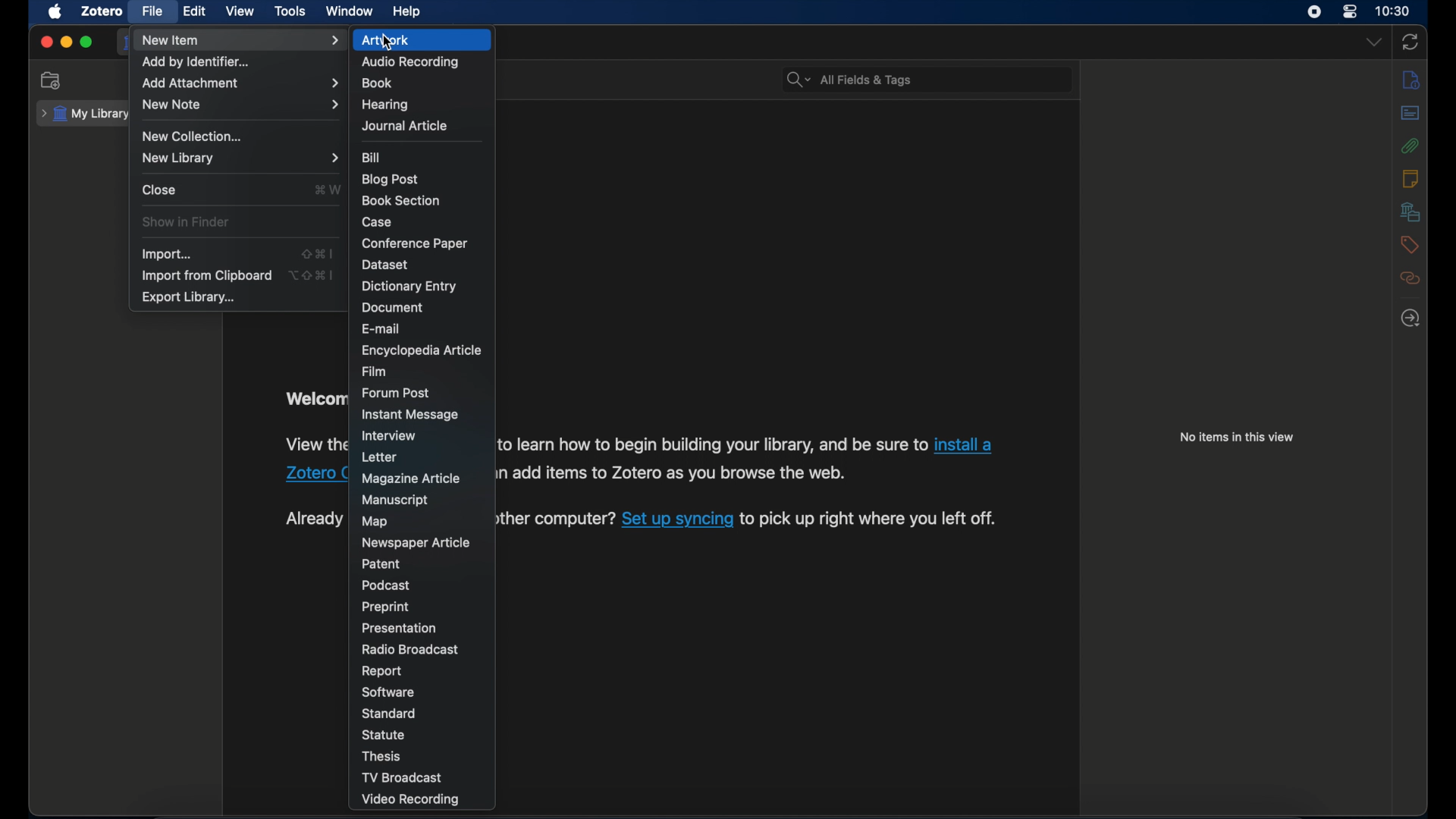 Image resolution: width=1456 pixels, height=819 pixels. What do you see at coordinates (381, 458) in the screenshot?
I see `letter` at bounding box center [381, 458].